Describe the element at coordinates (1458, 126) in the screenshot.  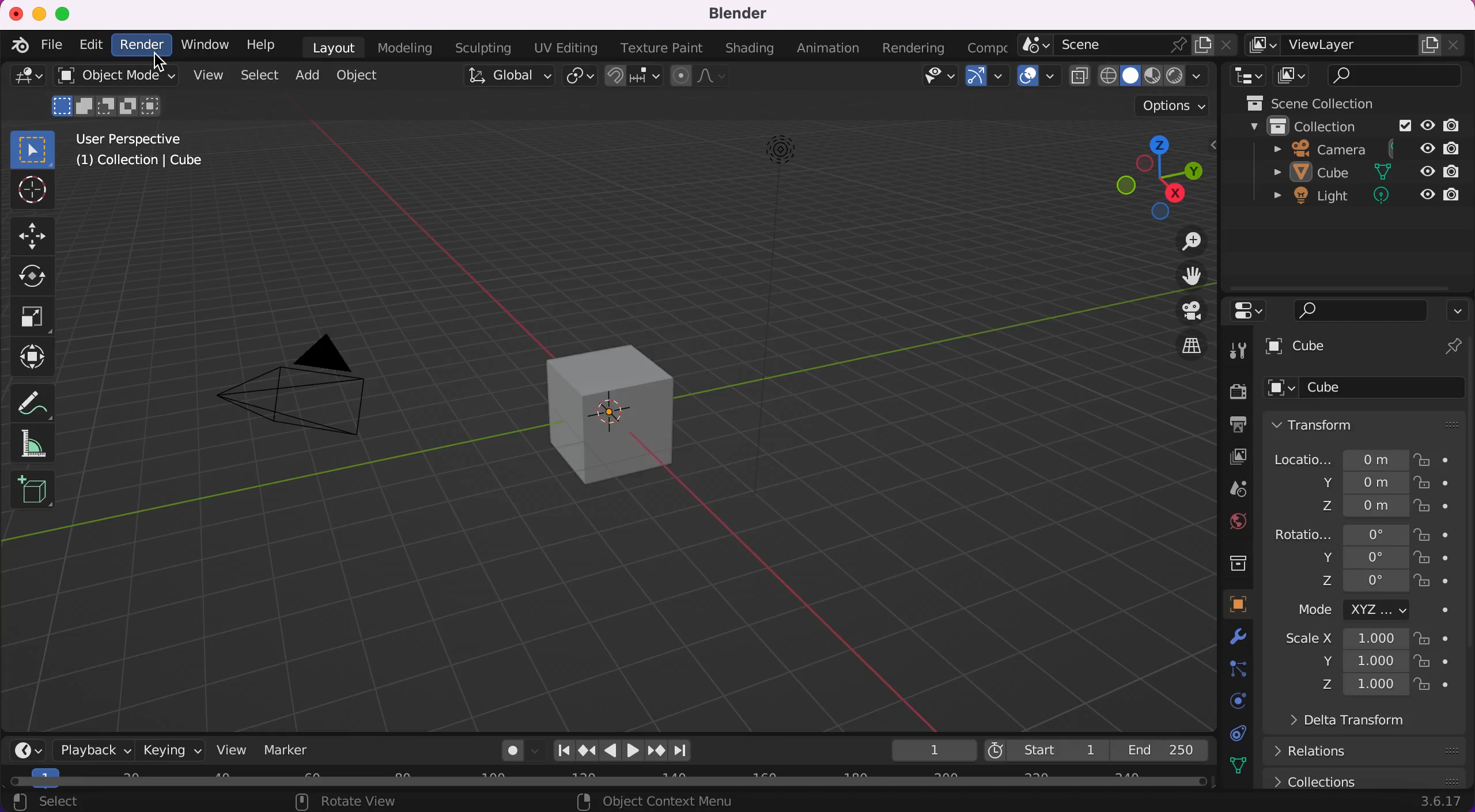
I see `disable in render` at that location.